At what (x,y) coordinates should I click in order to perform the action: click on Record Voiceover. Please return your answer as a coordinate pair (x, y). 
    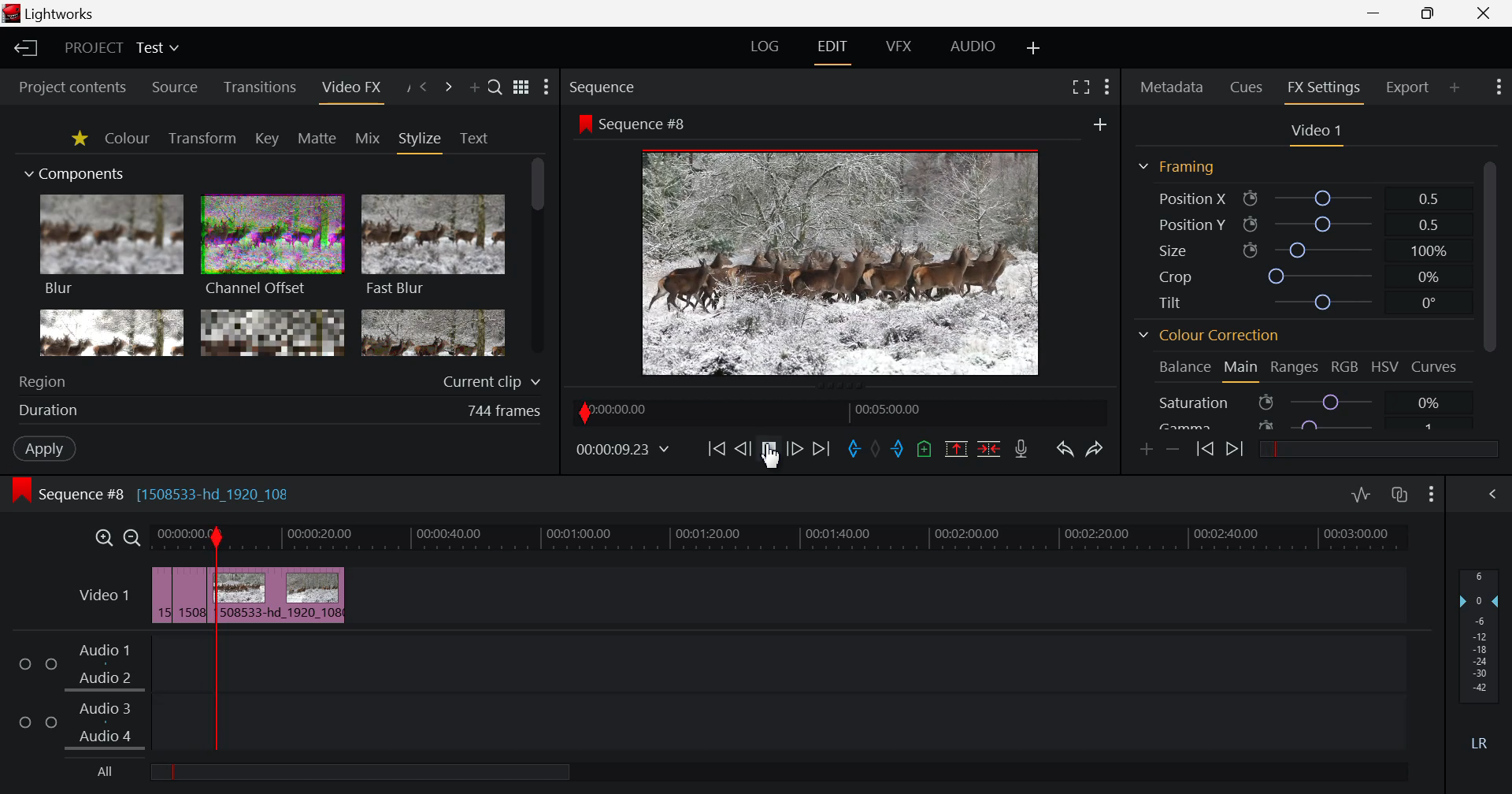
    Looking at the image, I should click on (1024, 449).